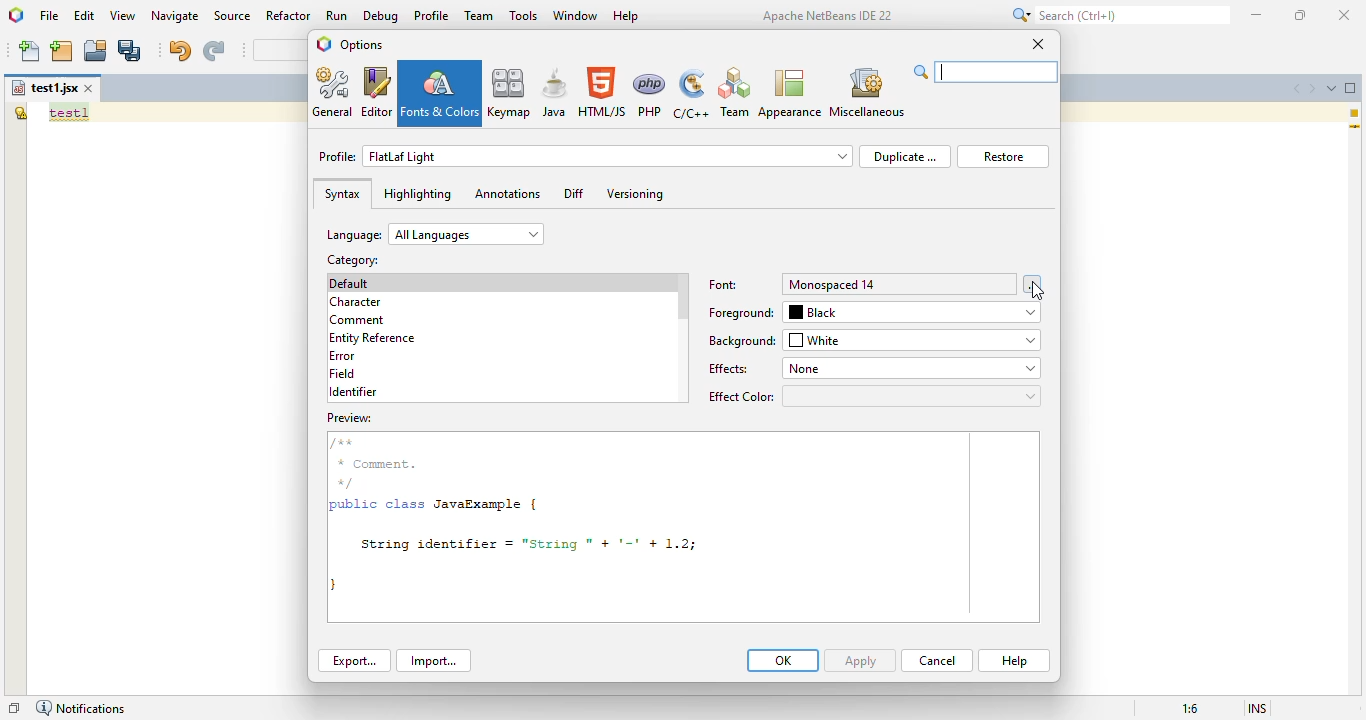 The width and height of the screenshot is (1366, 720). Describe the element at coordinates (342, 194) in the screenshot. I see `syntax` at that location.